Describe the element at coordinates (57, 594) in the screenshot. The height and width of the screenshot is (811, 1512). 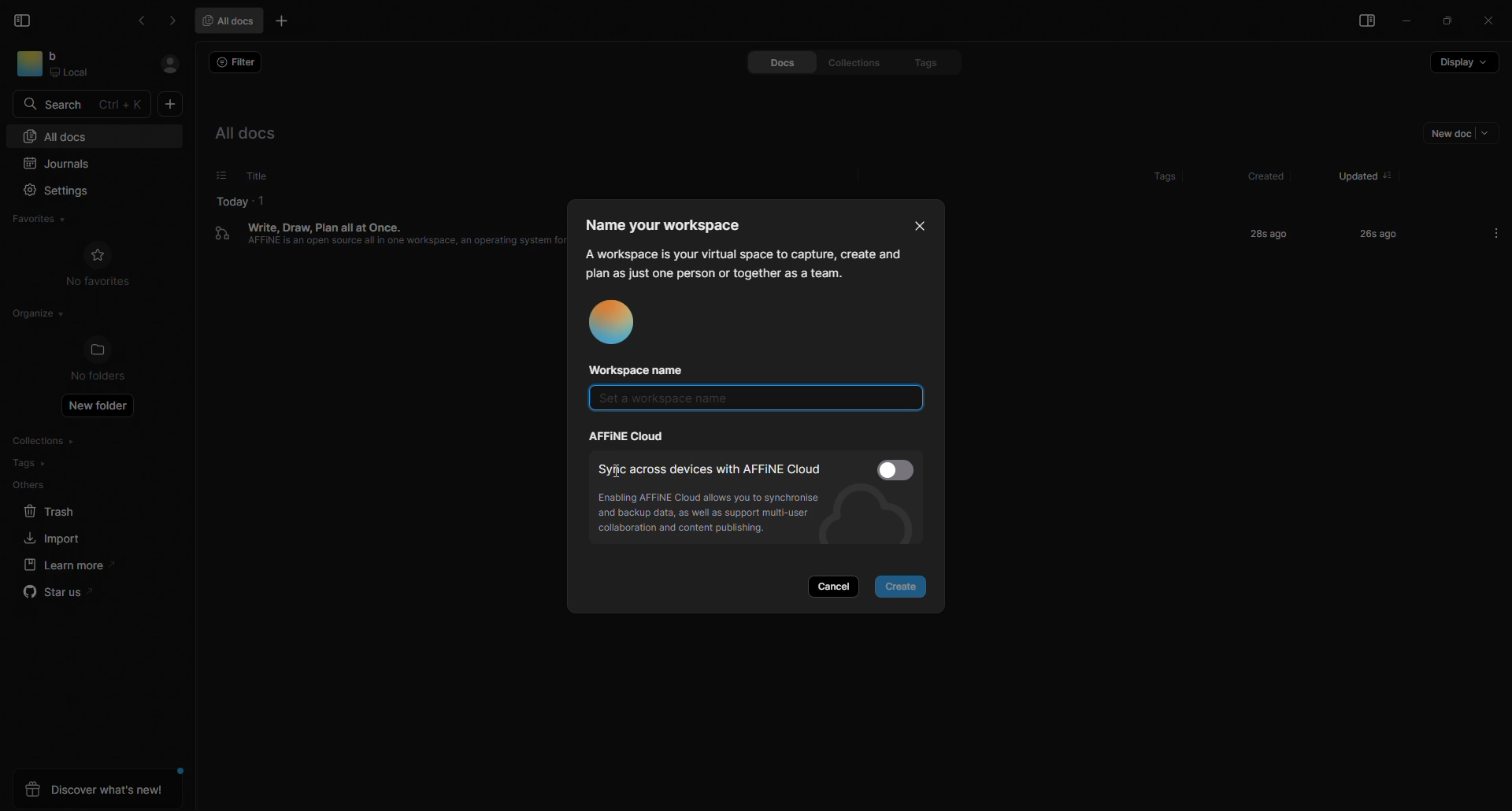
I see `star us` at that location.